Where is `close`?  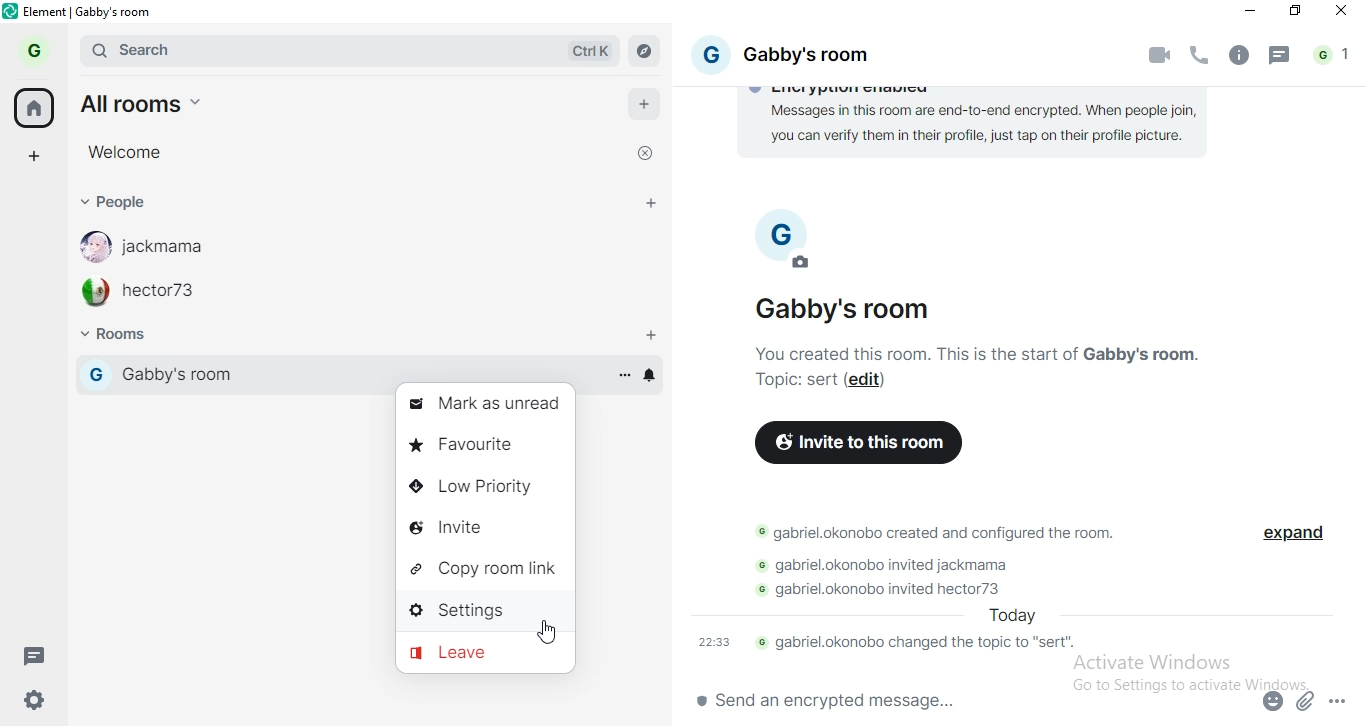
close is located at coordinates (642, 156).